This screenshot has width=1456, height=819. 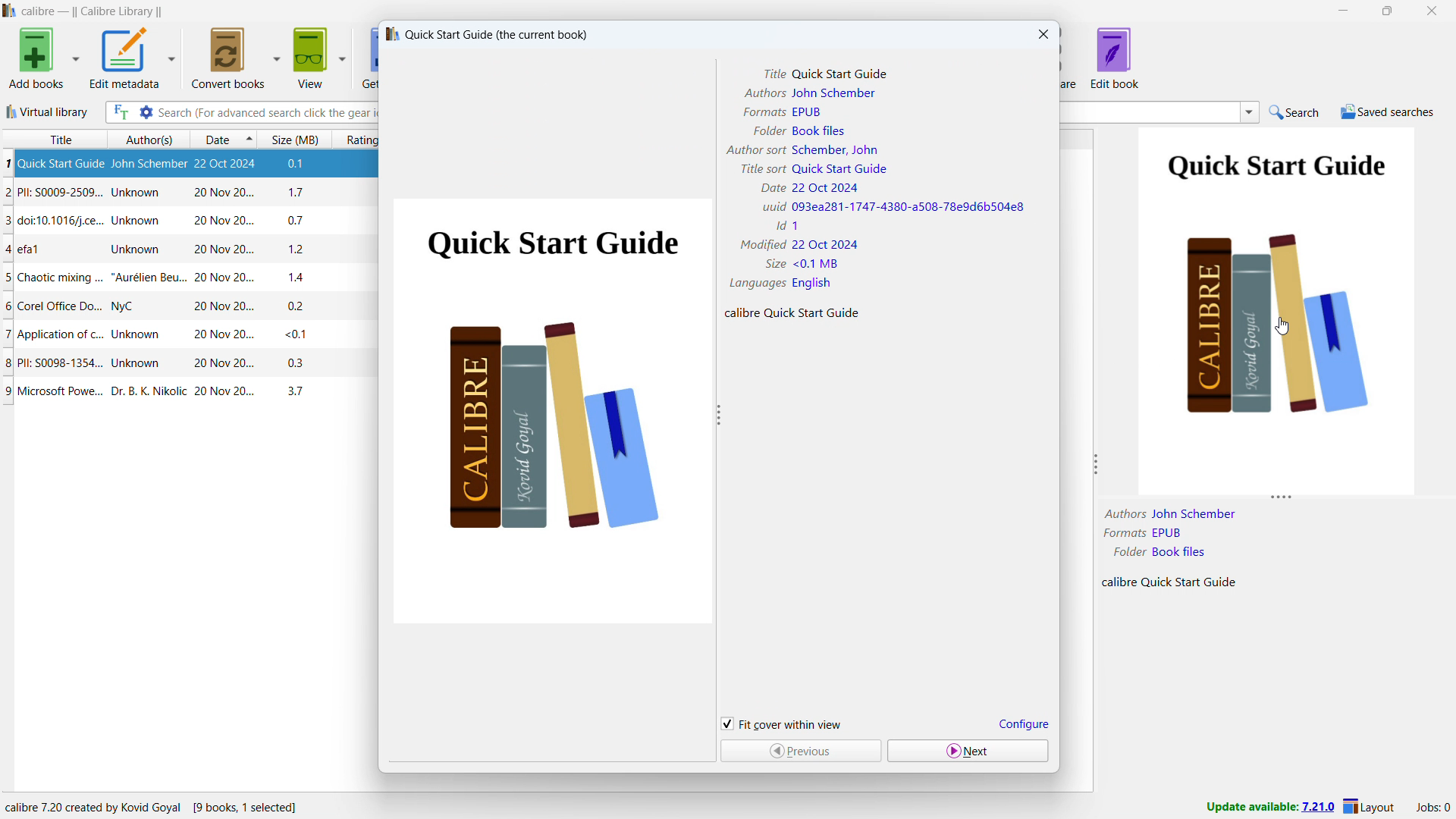 I want to click on Title, so click(x=775, y=75).